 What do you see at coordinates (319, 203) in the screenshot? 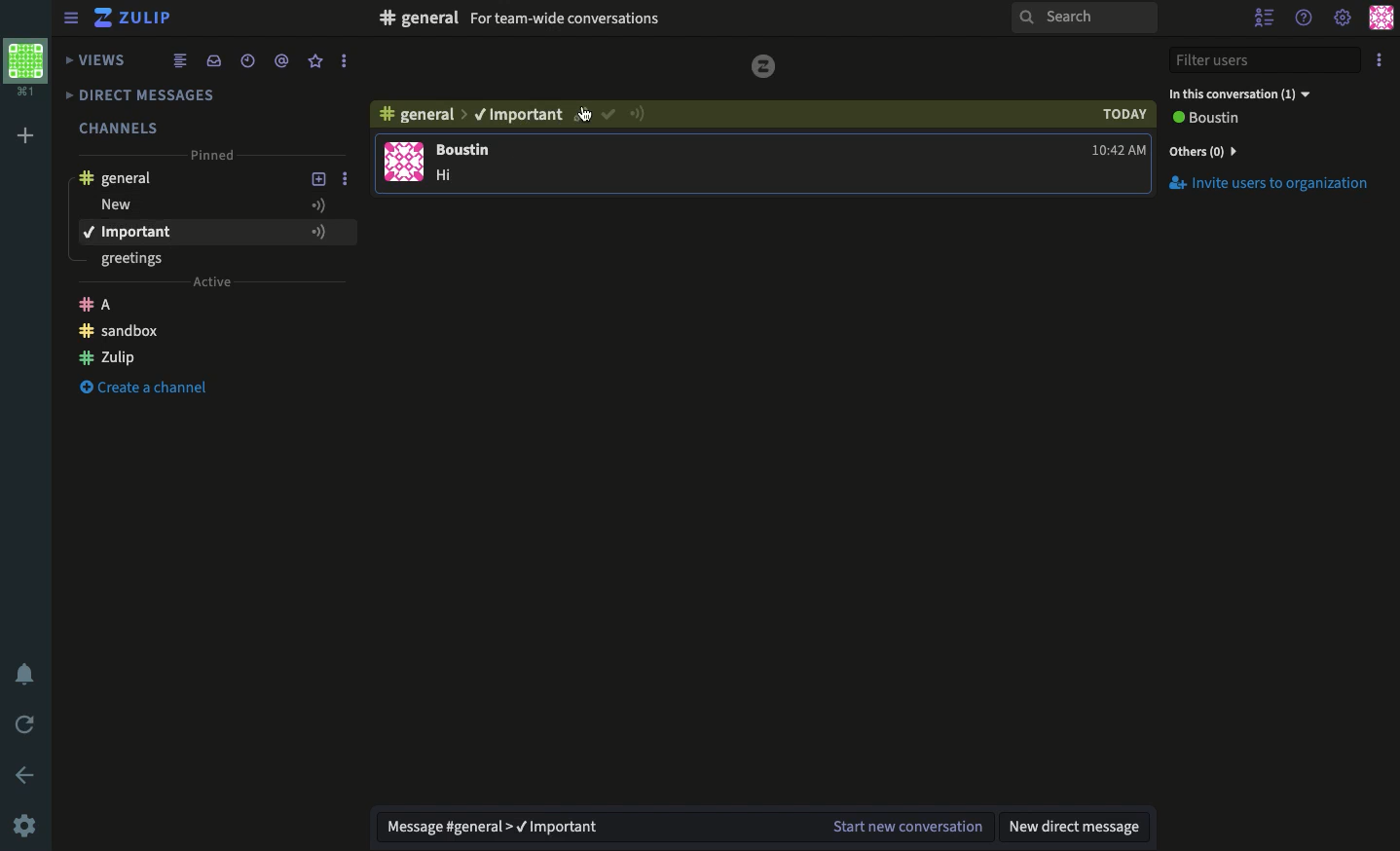
I see `Add` at bounding box center [319, 203].